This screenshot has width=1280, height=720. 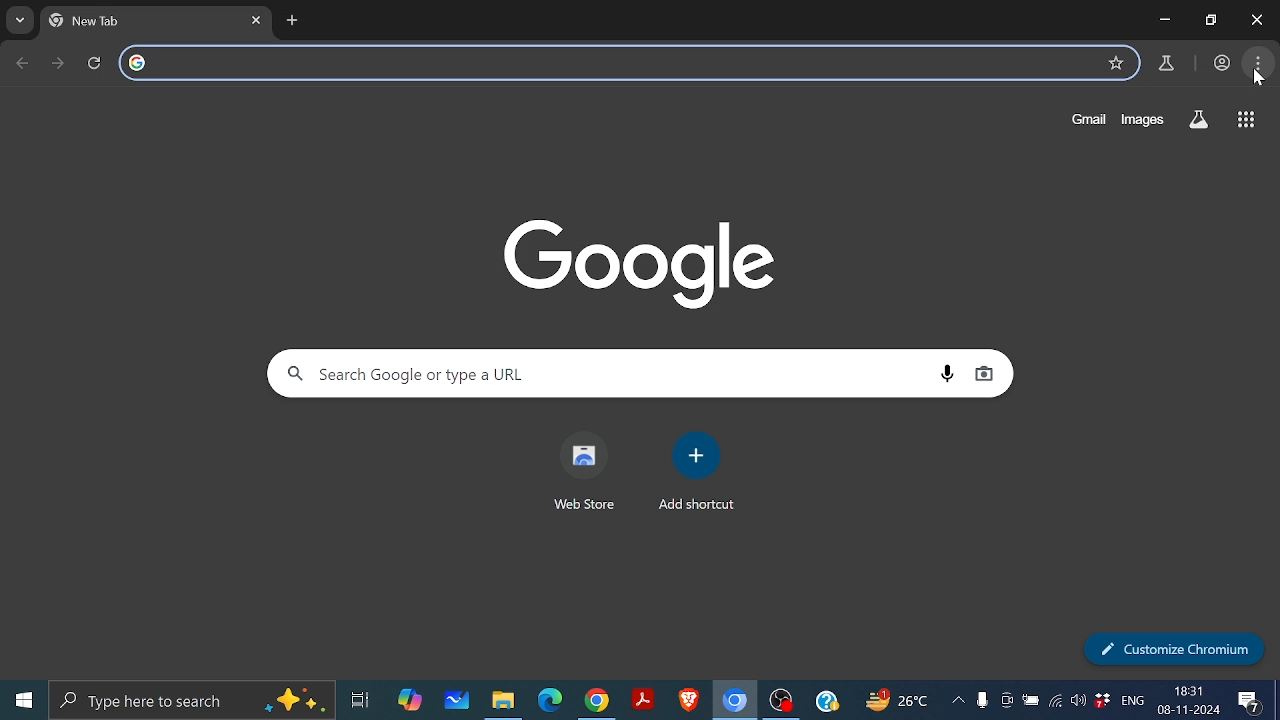 I want to click on work, so click(x=1221, y=61).